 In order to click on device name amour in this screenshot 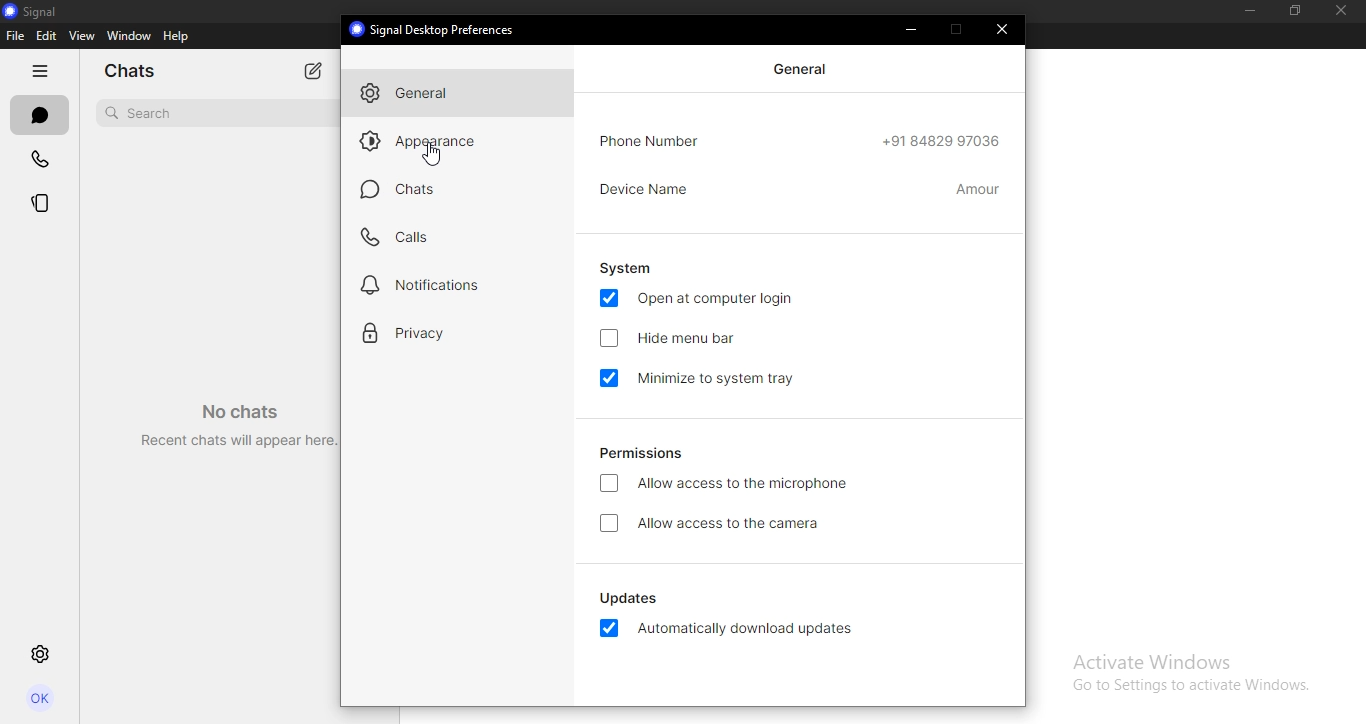, I will do `click(797, 188)`.